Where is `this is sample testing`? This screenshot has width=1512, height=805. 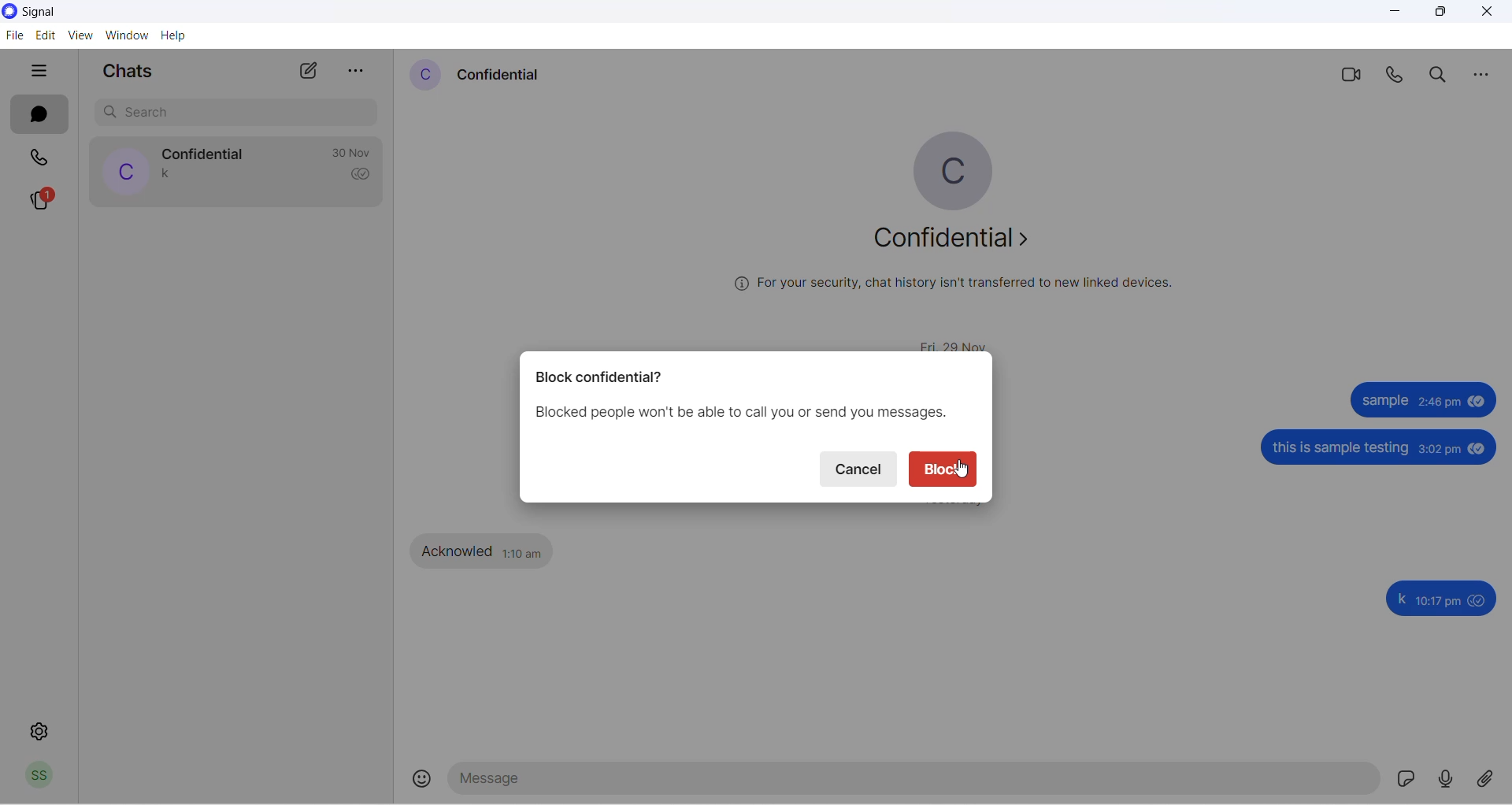 this is sample testing is located at coordinates (1340, 448).